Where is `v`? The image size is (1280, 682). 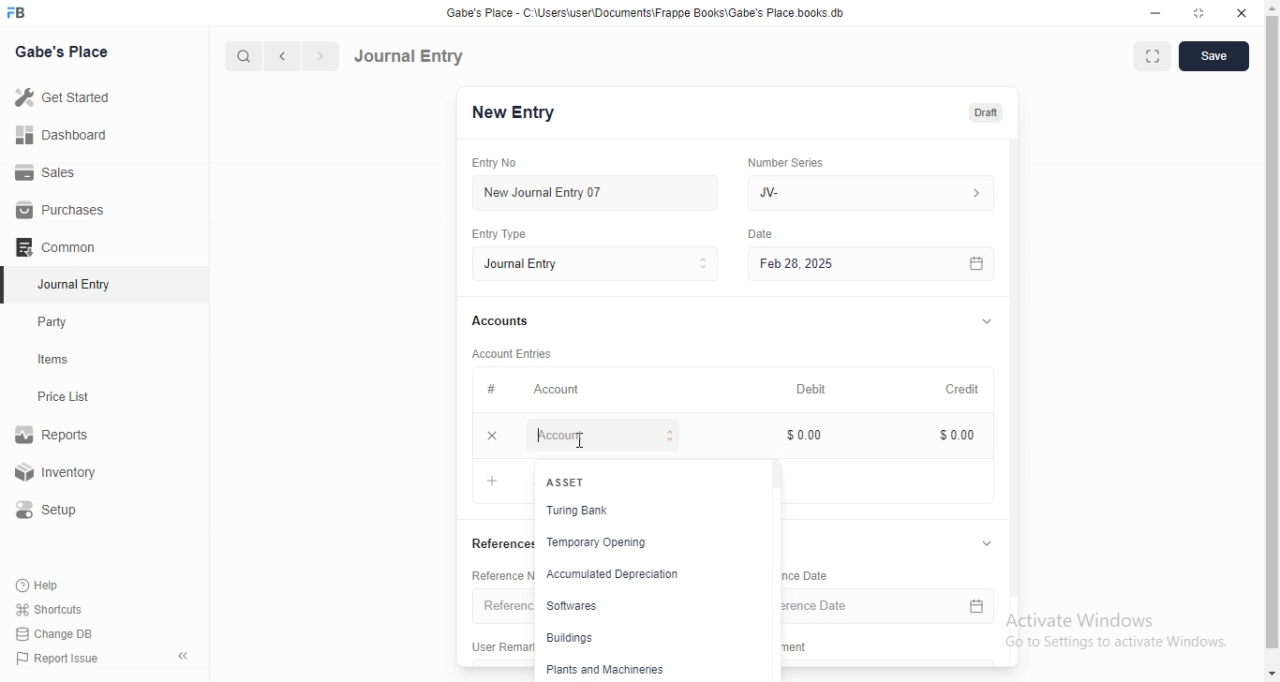
v is located at coordinates (994, 318).